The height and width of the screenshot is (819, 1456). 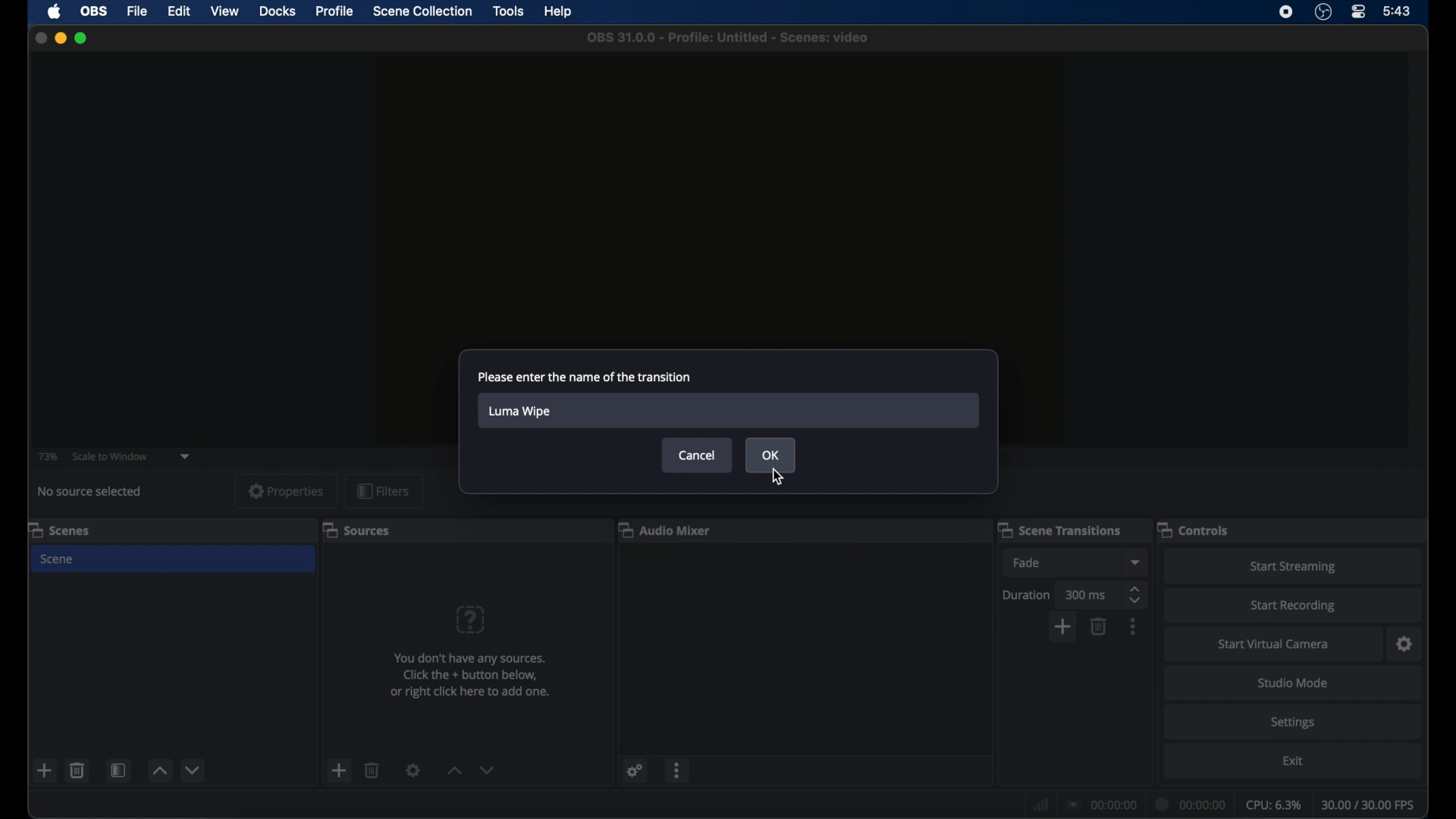 I want to click on decrement, so click(x=490, y=770).